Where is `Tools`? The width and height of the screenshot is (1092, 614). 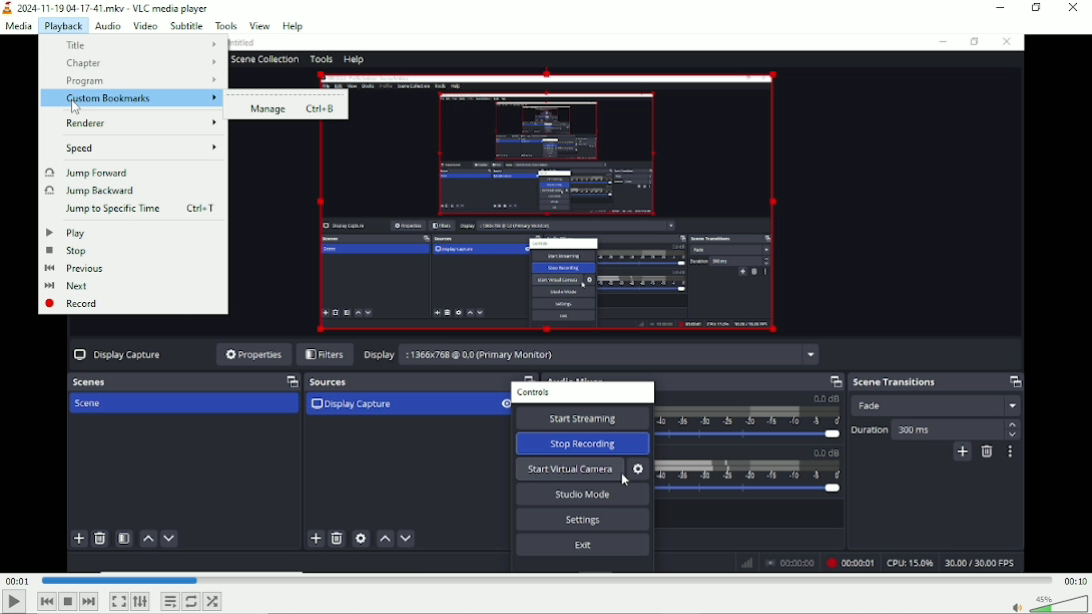 Tools is located at coordinates (227, 26).